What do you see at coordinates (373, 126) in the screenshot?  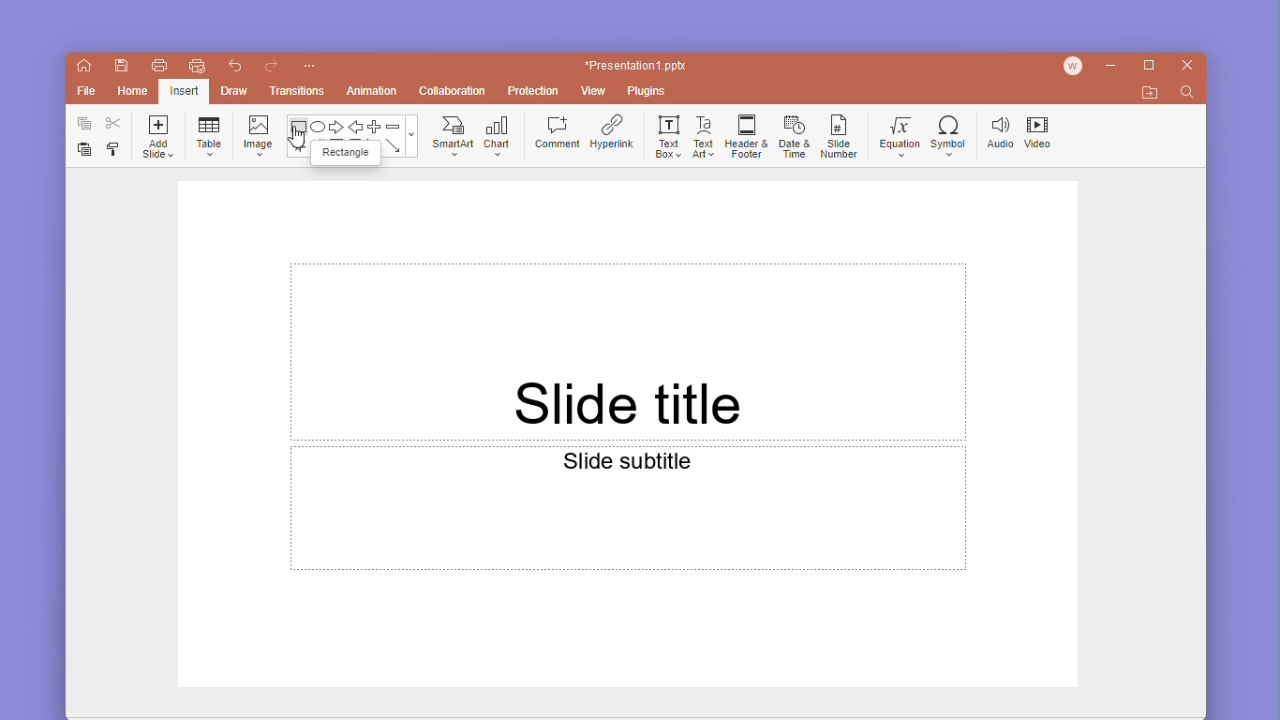 I see `plus` at bounding box center [373, 126].